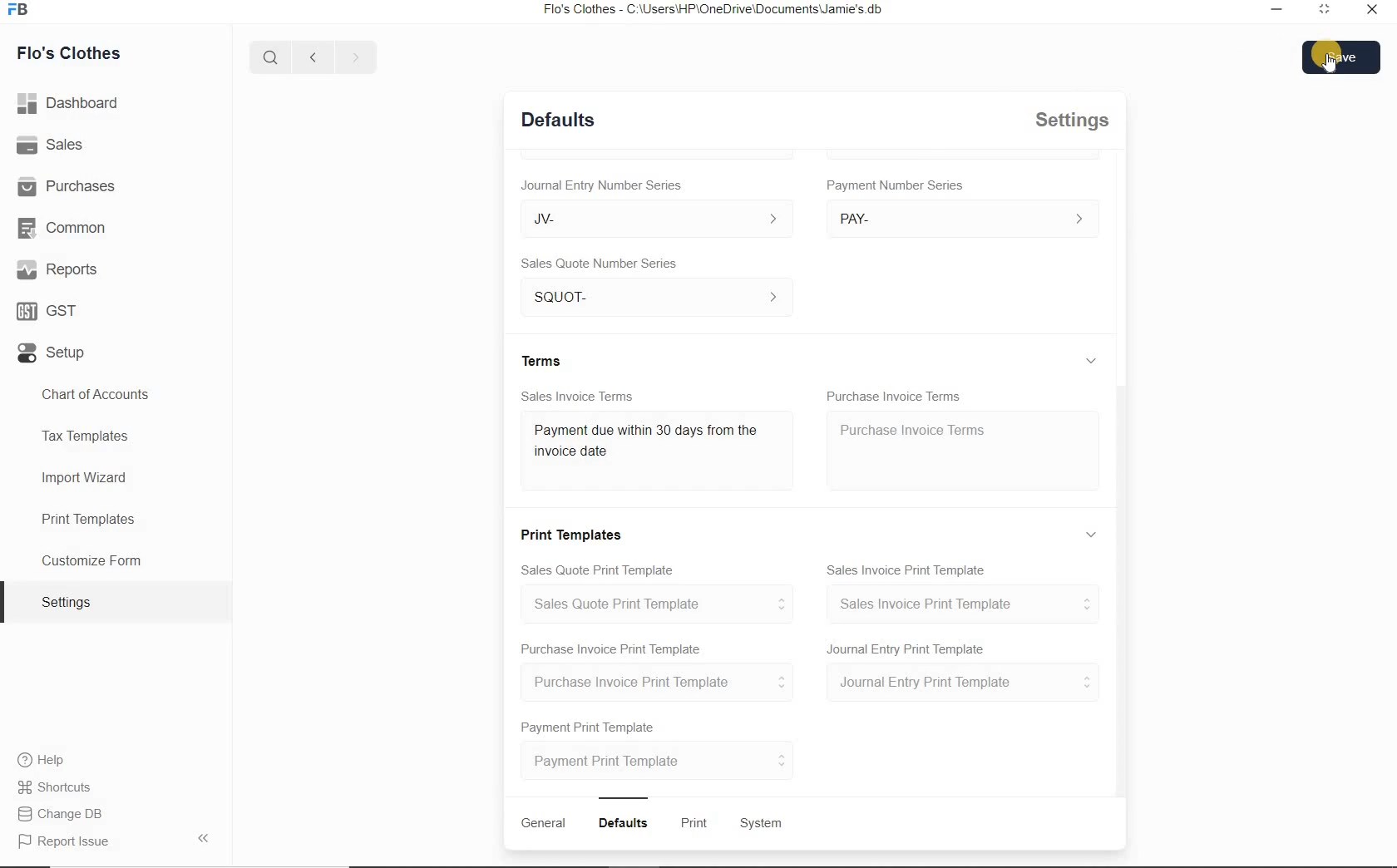  I want to click on wits Print, so click(690, 822).